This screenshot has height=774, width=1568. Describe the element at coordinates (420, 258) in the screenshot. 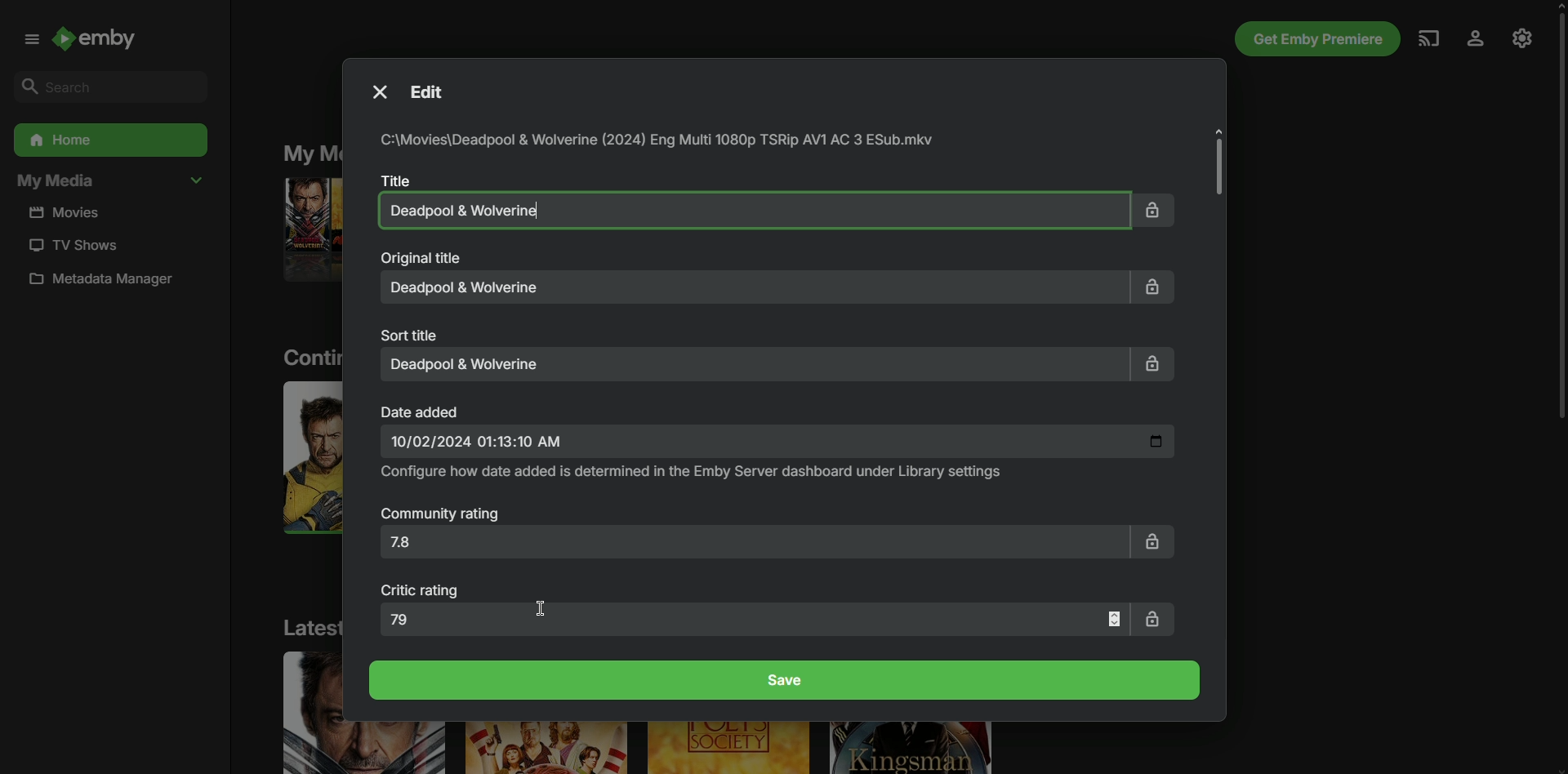

I see `Original Title` at that location.